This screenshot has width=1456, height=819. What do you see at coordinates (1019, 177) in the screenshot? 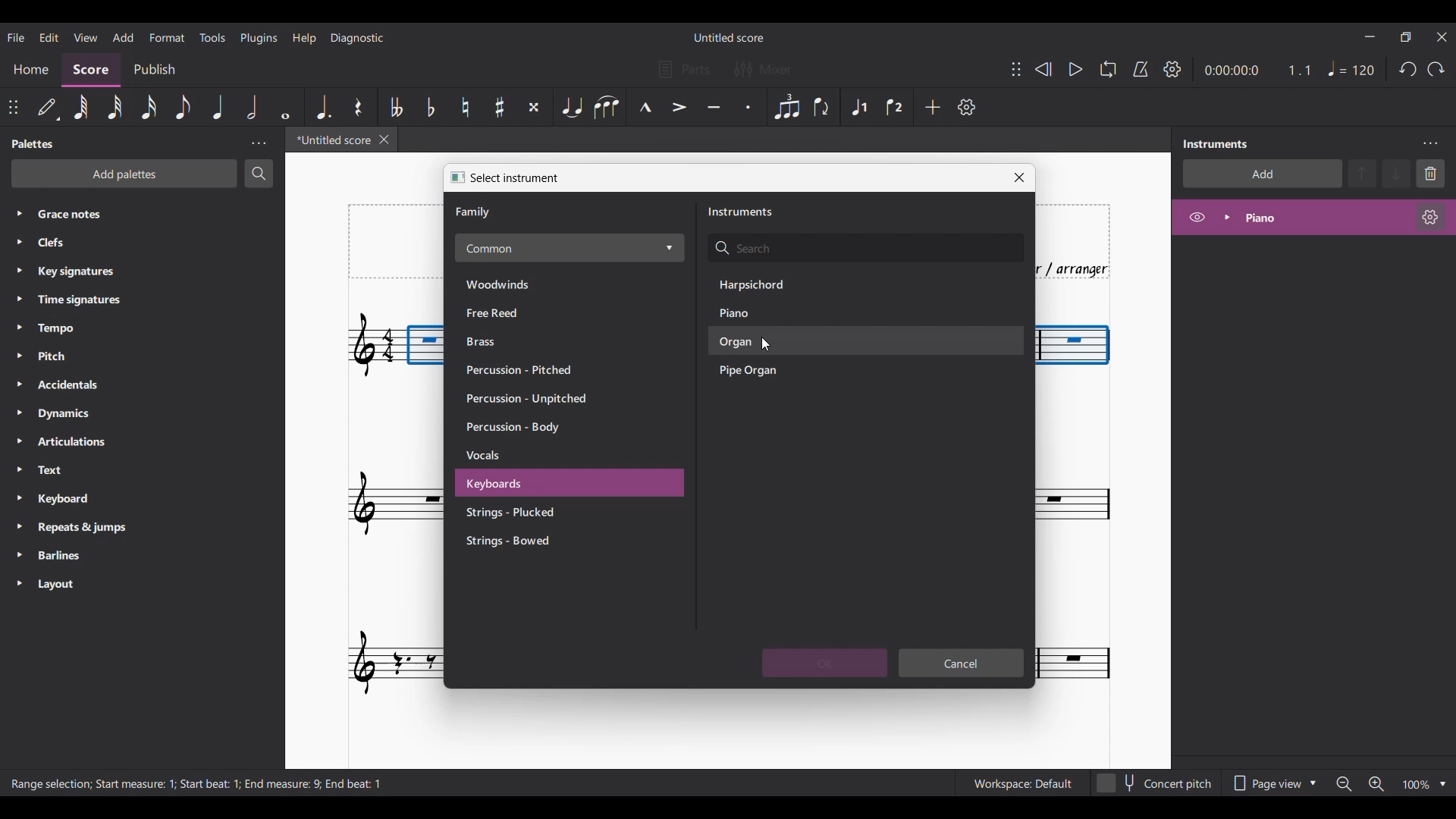
I see `Close` at bounding box center [1019, 177].